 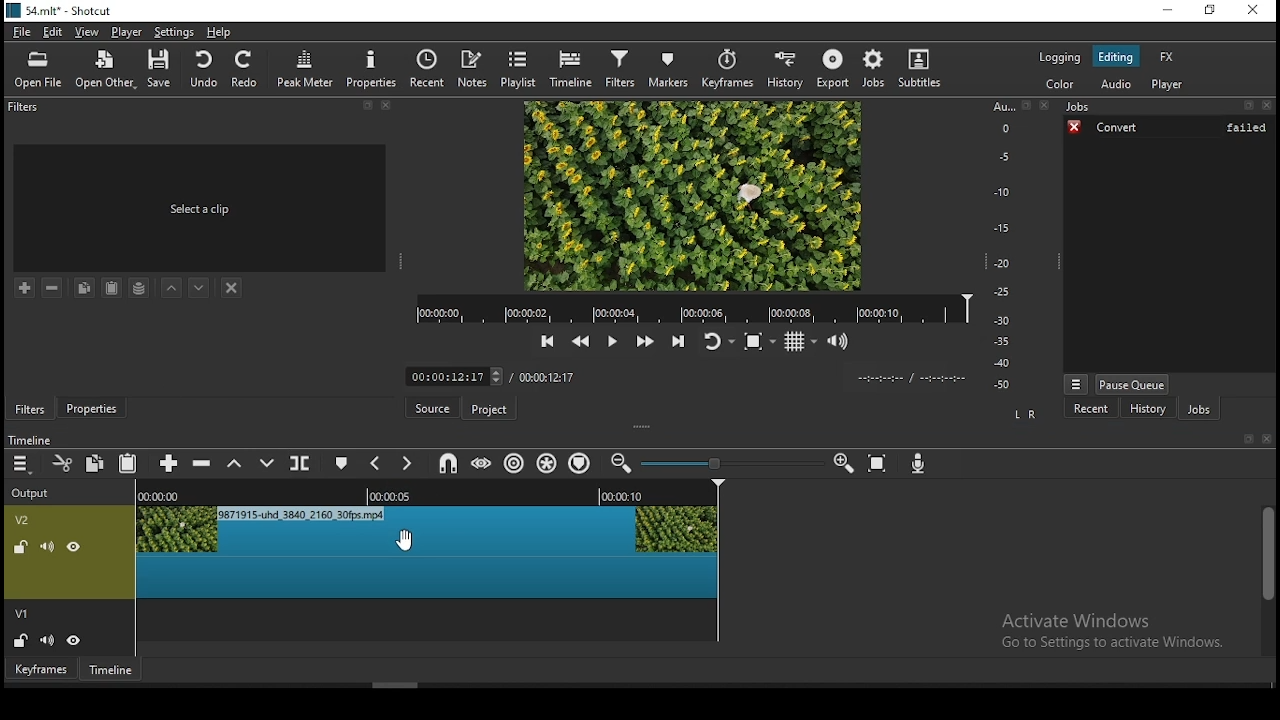 I want to click on overwrite, so click(x=267, y=461).